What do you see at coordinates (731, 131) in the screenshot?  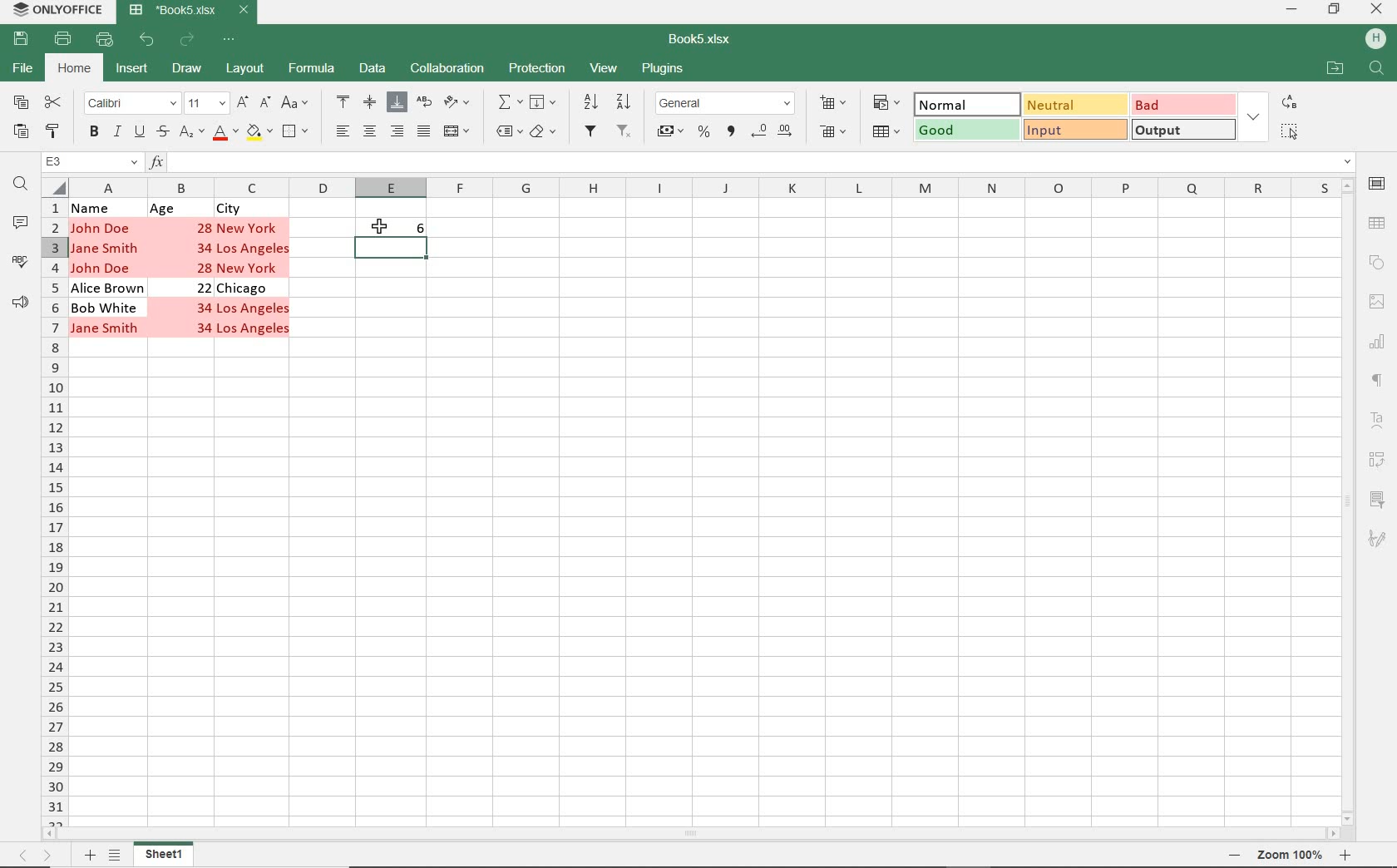 I see `COMMA STYLE` at bounding box center [731, 131].